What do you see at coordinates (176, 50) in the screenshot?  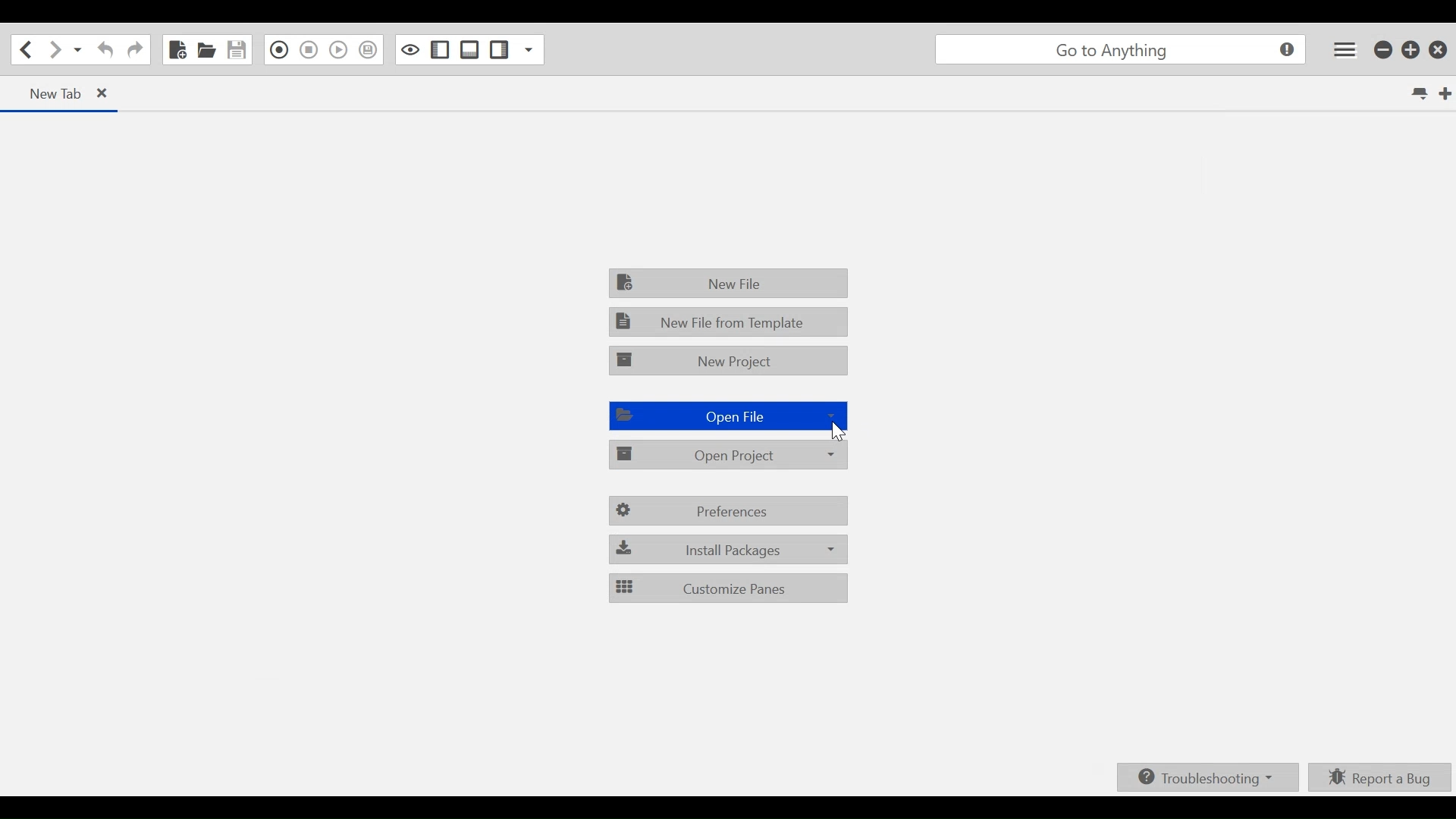 I see `New File` at bounding box center [176, 50].